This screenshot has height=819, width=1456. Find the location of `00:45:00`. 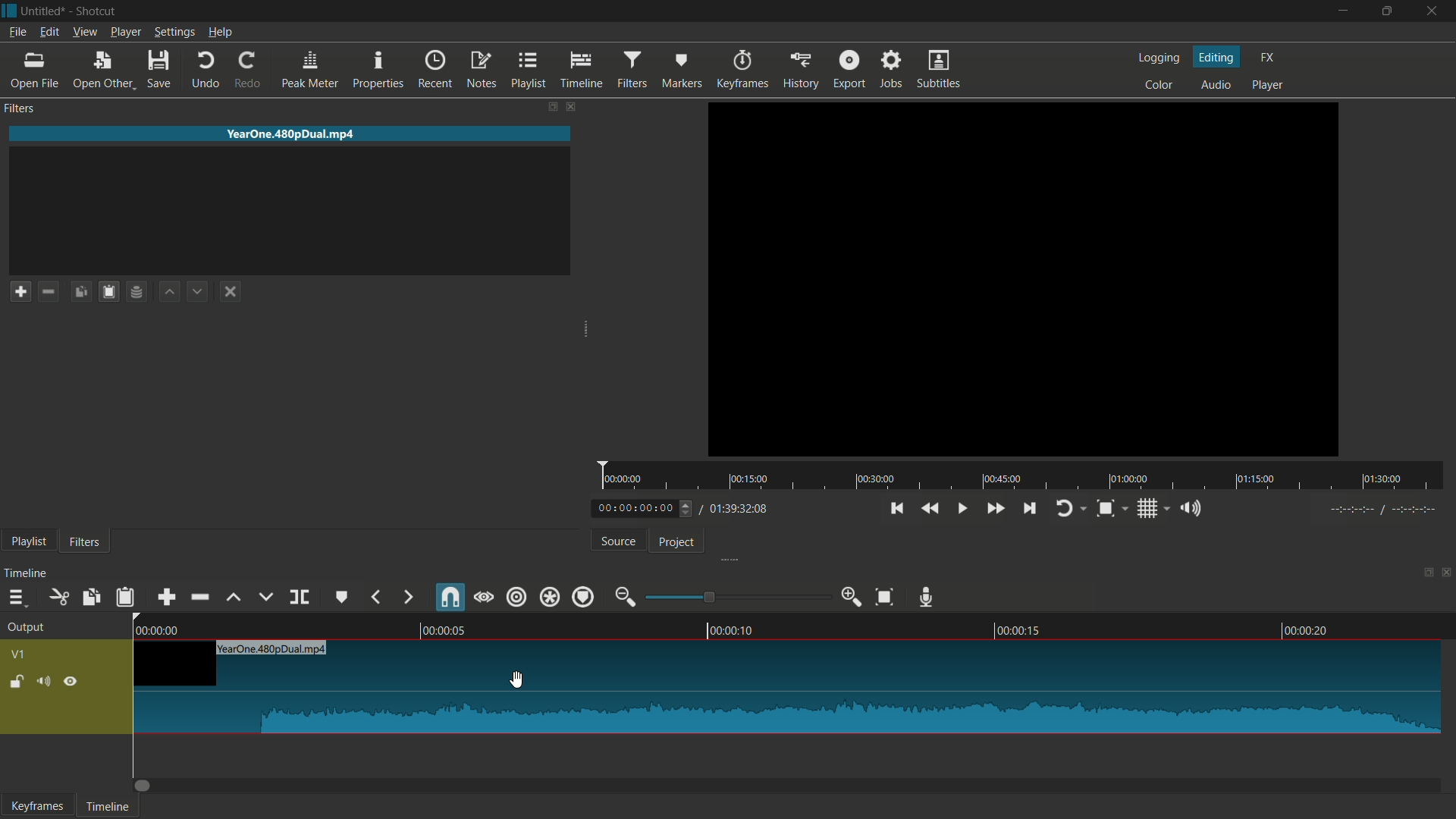

00:45:00 is located at coordinates (1000, 479).